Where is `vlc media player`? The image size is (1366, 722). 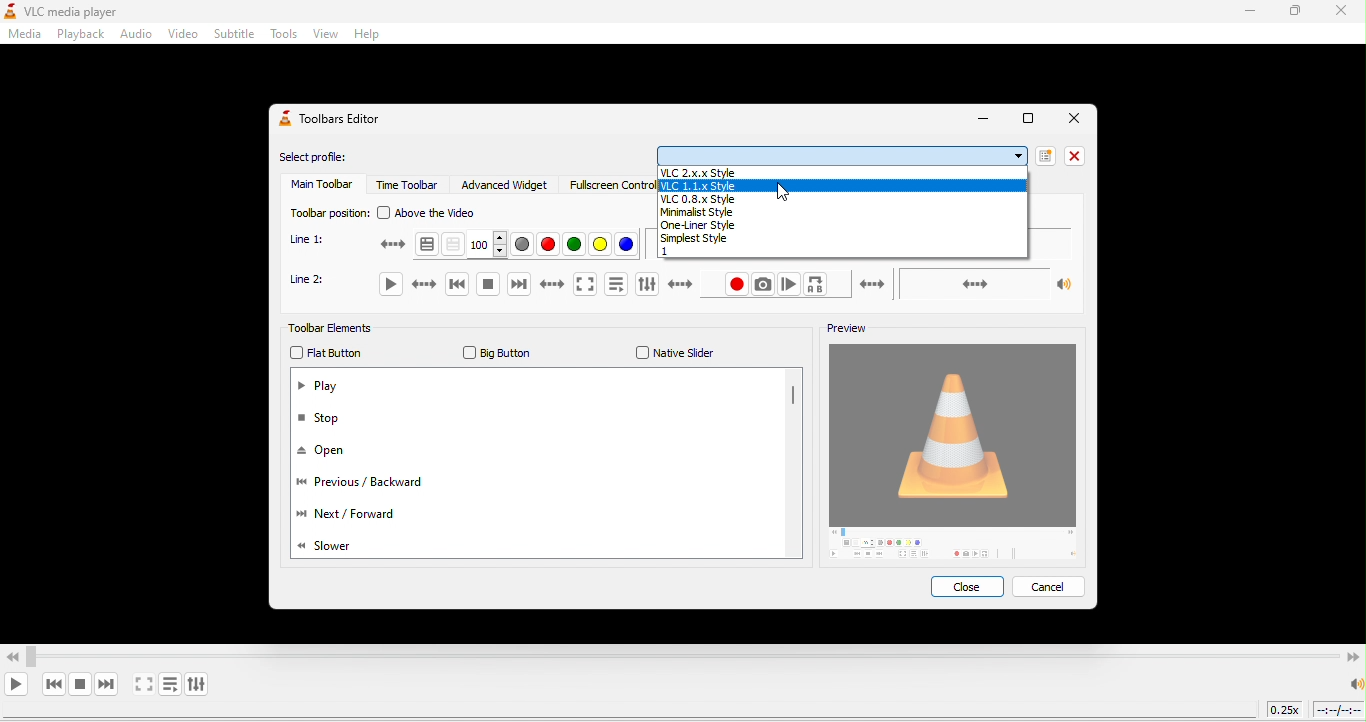
vlc media player is located at coordinates (79, 12).